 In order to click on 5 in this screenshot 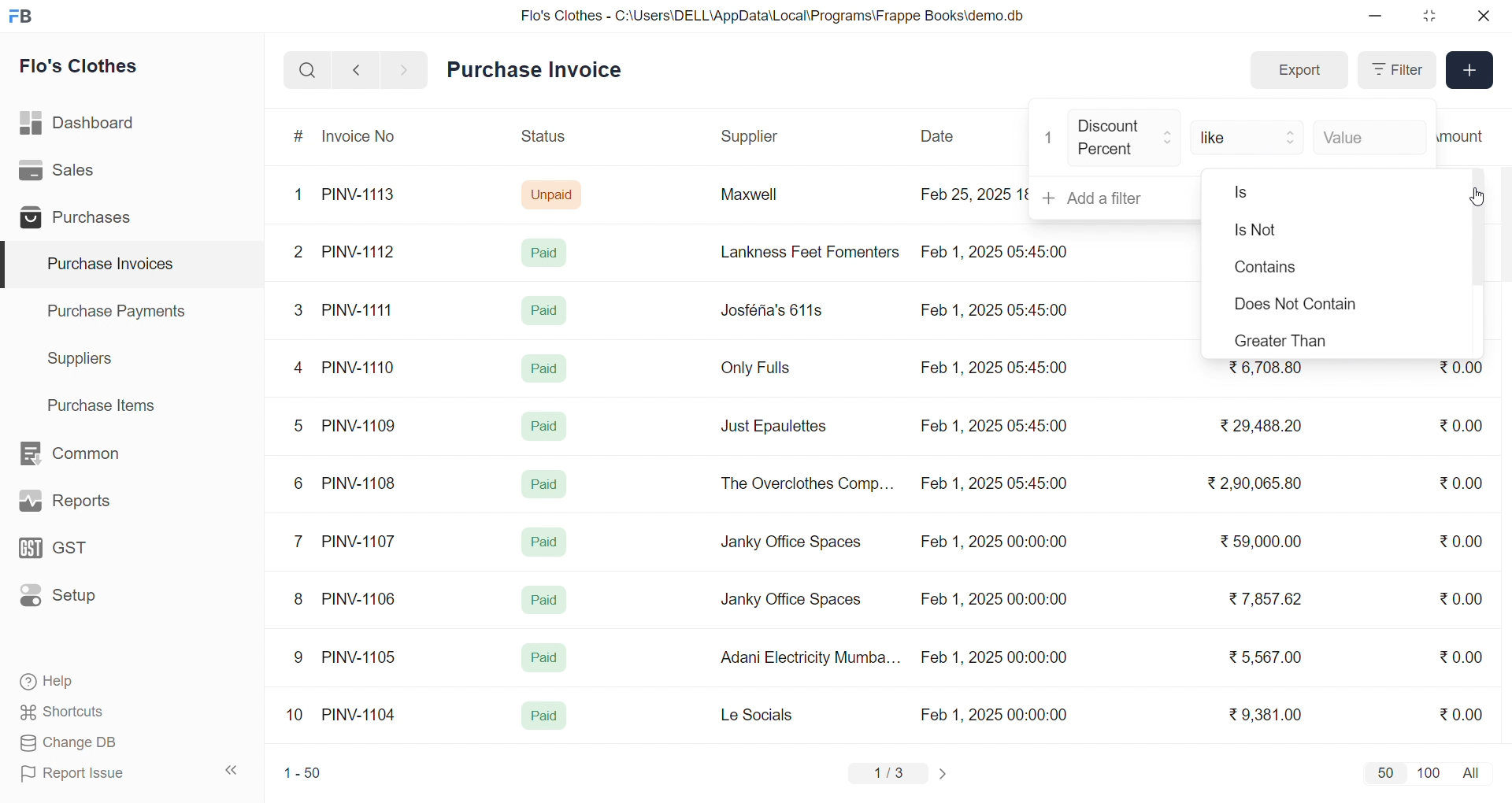, I will do `click(298, 425)`.